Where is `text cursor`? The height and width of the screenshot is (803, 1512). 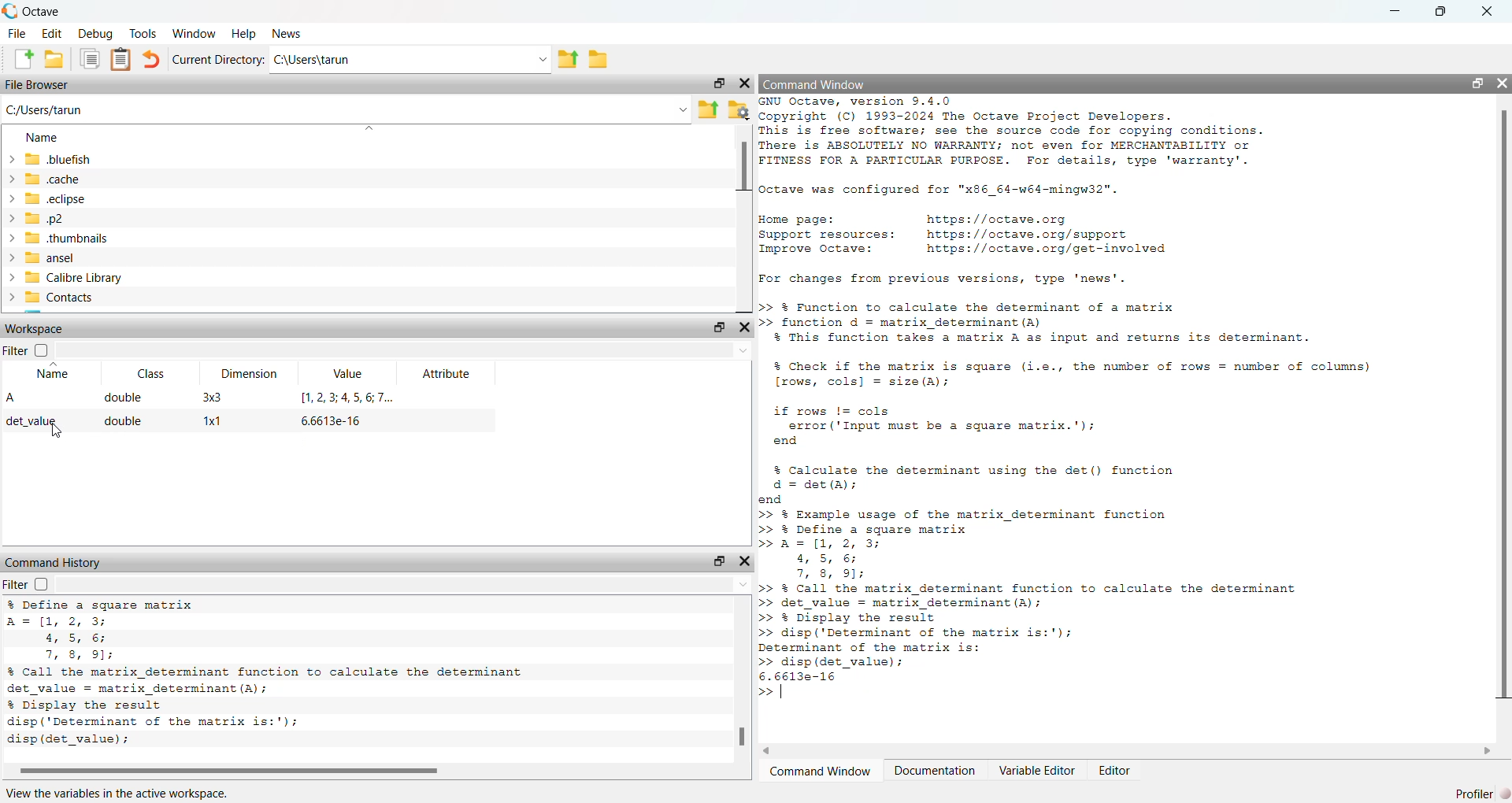
text cursor is located at coordinates (781, 693).